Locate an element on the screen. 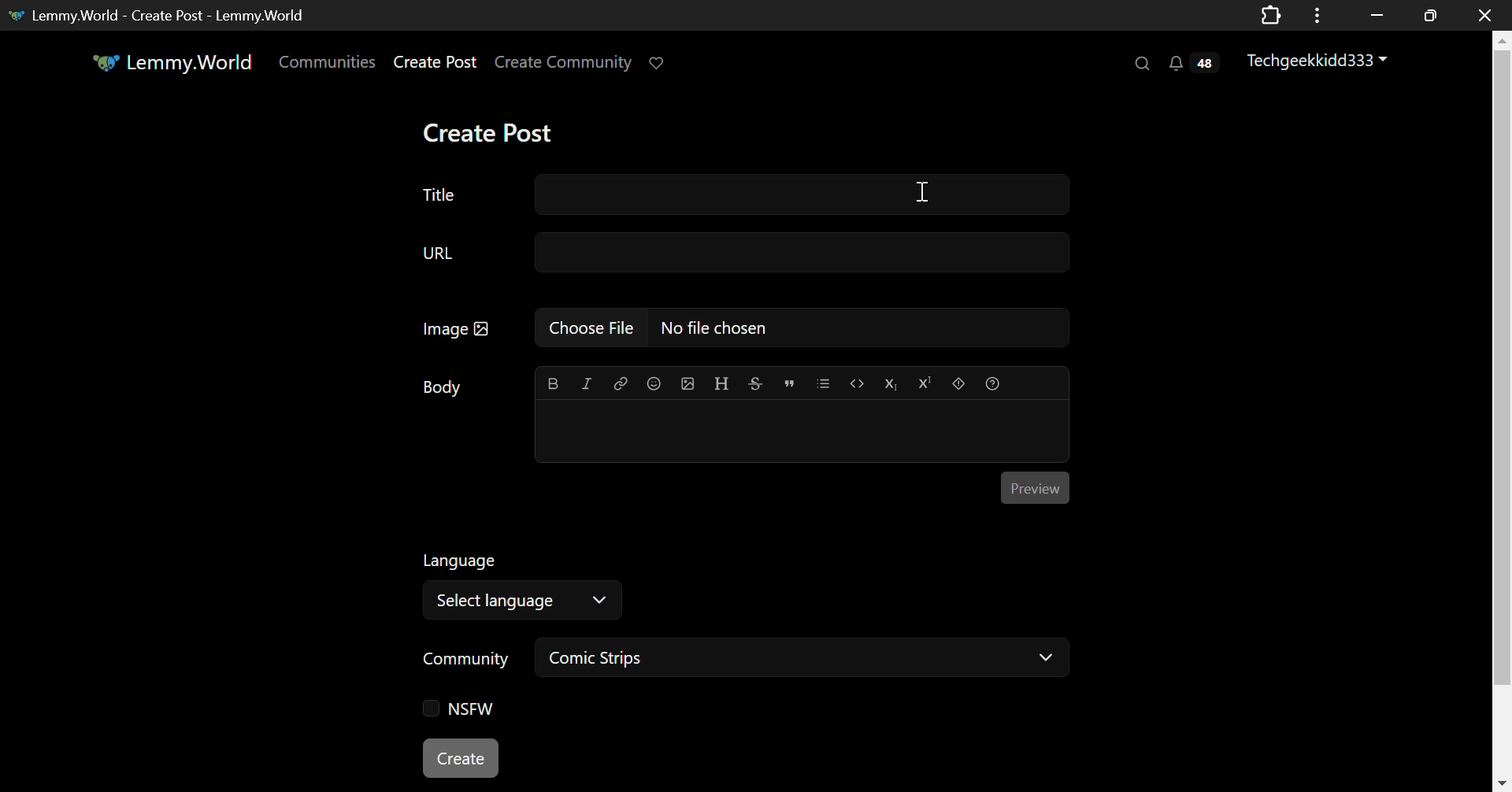 The height and width of the screenshot is (792, 1512). Post Body Editing Textbox is located at coordinates (799, 433).